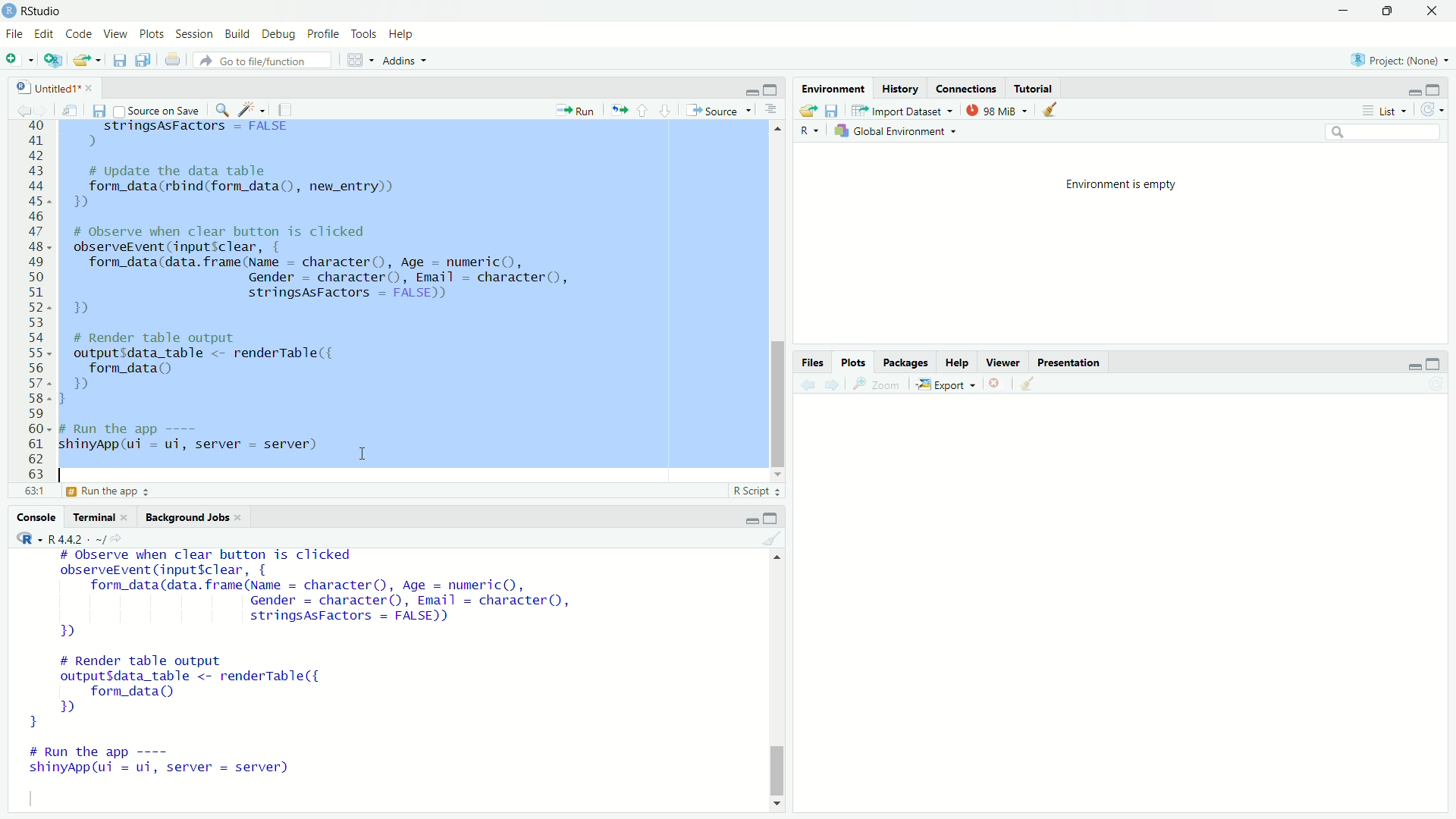 This screenshot has width=1456, height=819. Describe the element at coordinates (80, 33) in the screenshot. I see `Code` at that location.